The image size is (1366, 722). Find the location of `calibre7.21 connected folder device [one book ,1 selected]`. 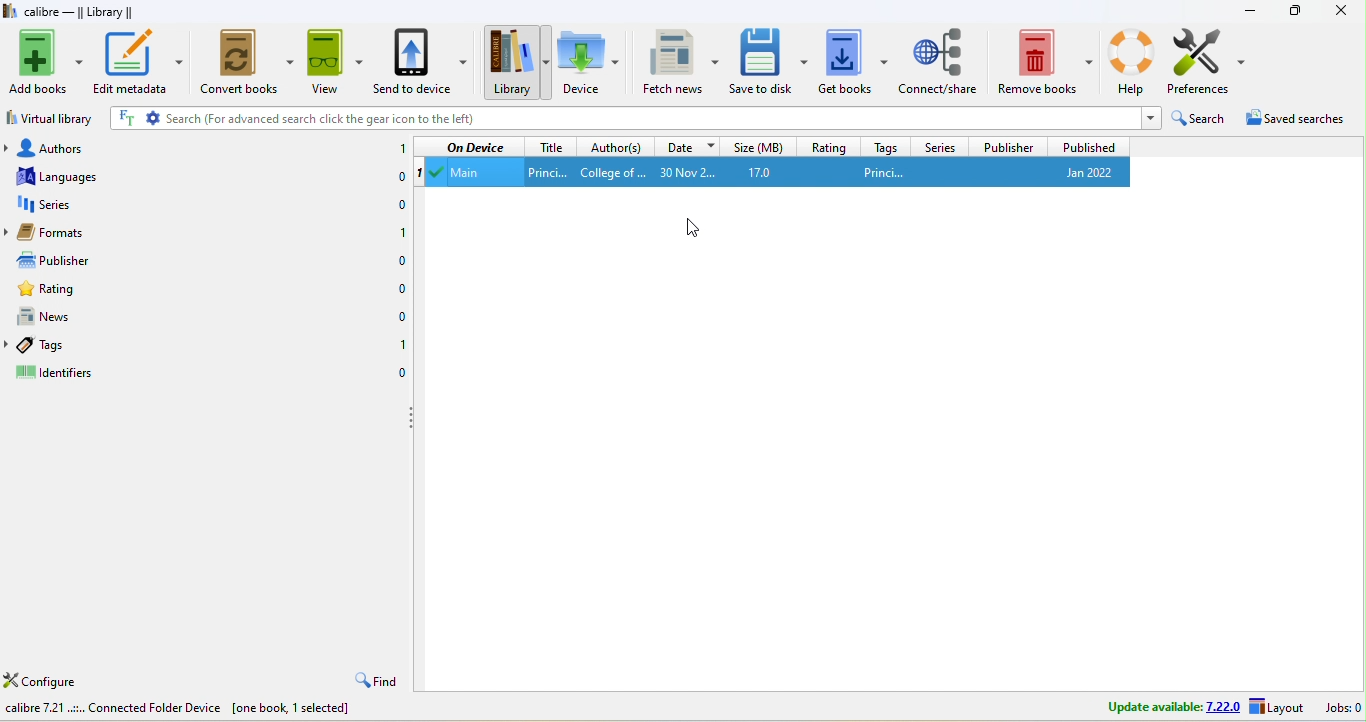

calibre7.21 connected folder device [one book ,1 selected] is located at coordinates (182, 711).